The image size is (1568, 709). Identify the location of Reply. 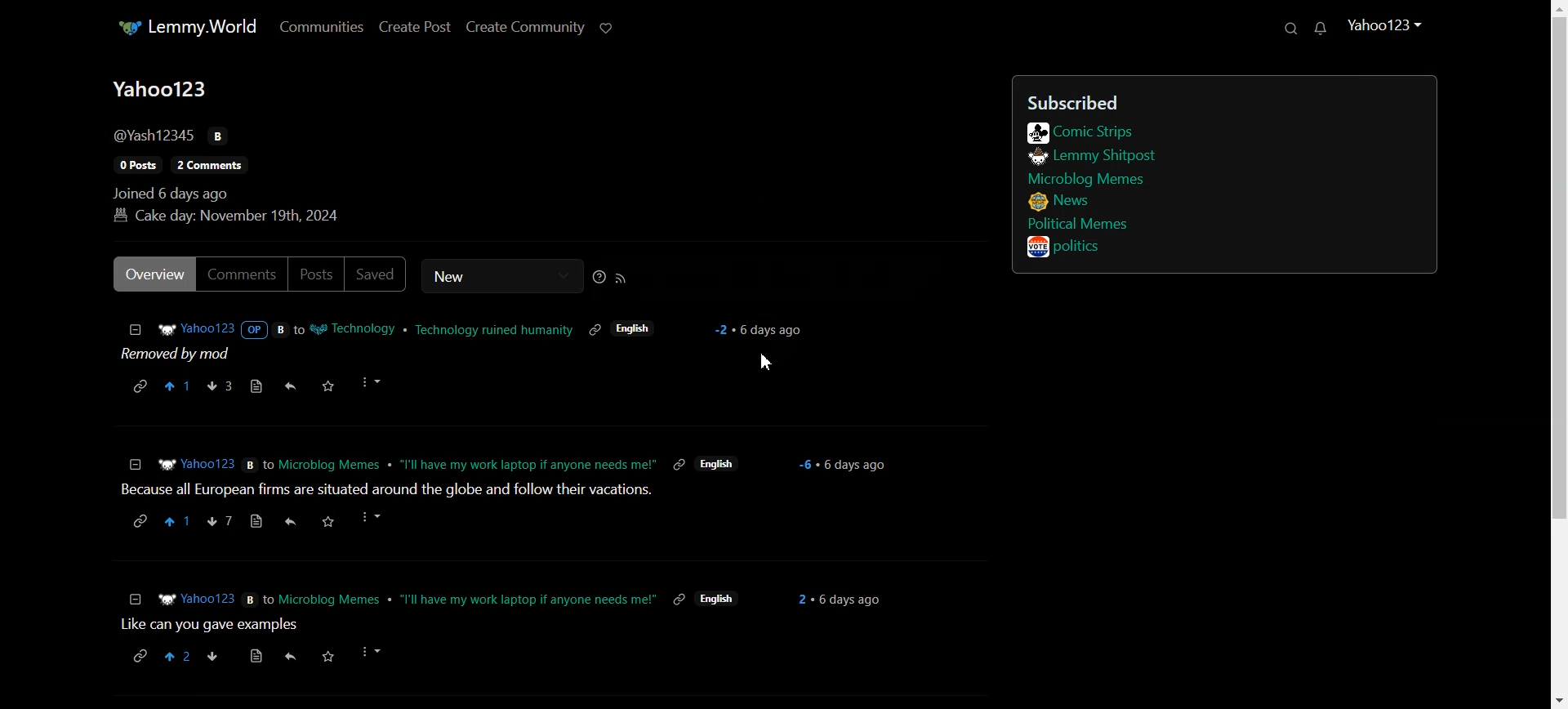
(294, 386).